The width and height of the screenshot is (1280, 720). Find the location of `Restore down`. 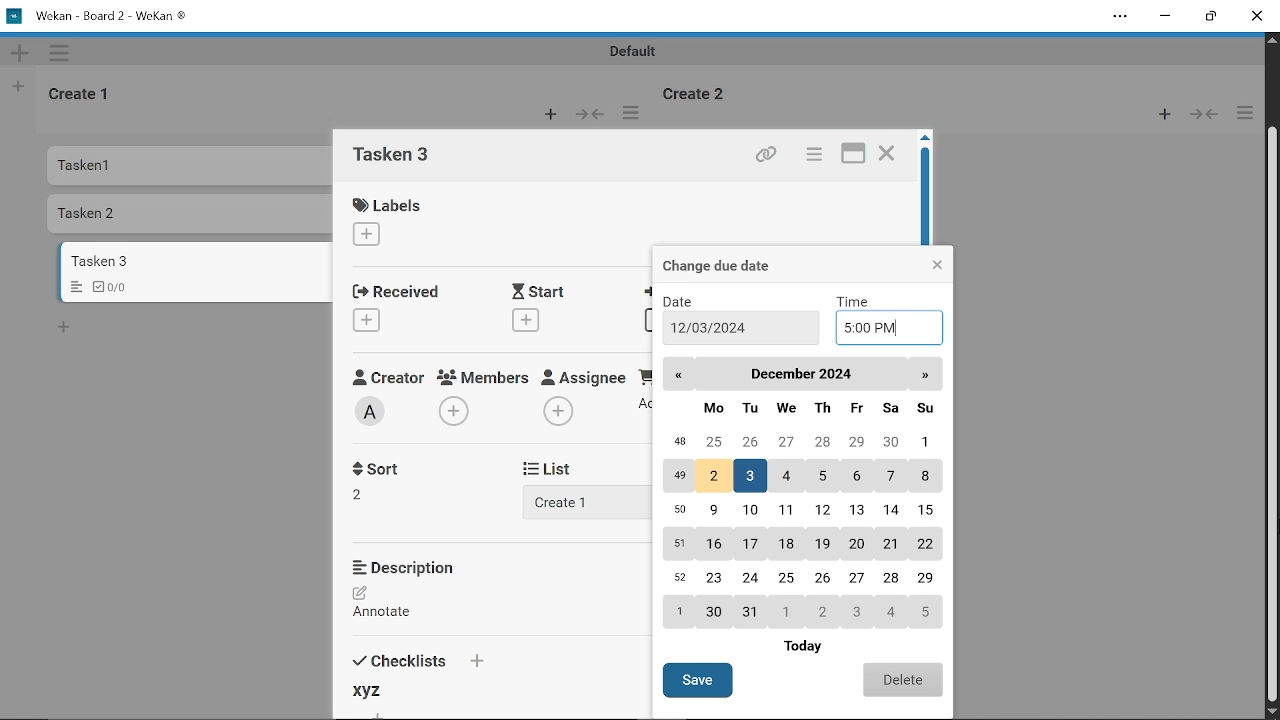

Restore down is located at coordinates (1209, 19).